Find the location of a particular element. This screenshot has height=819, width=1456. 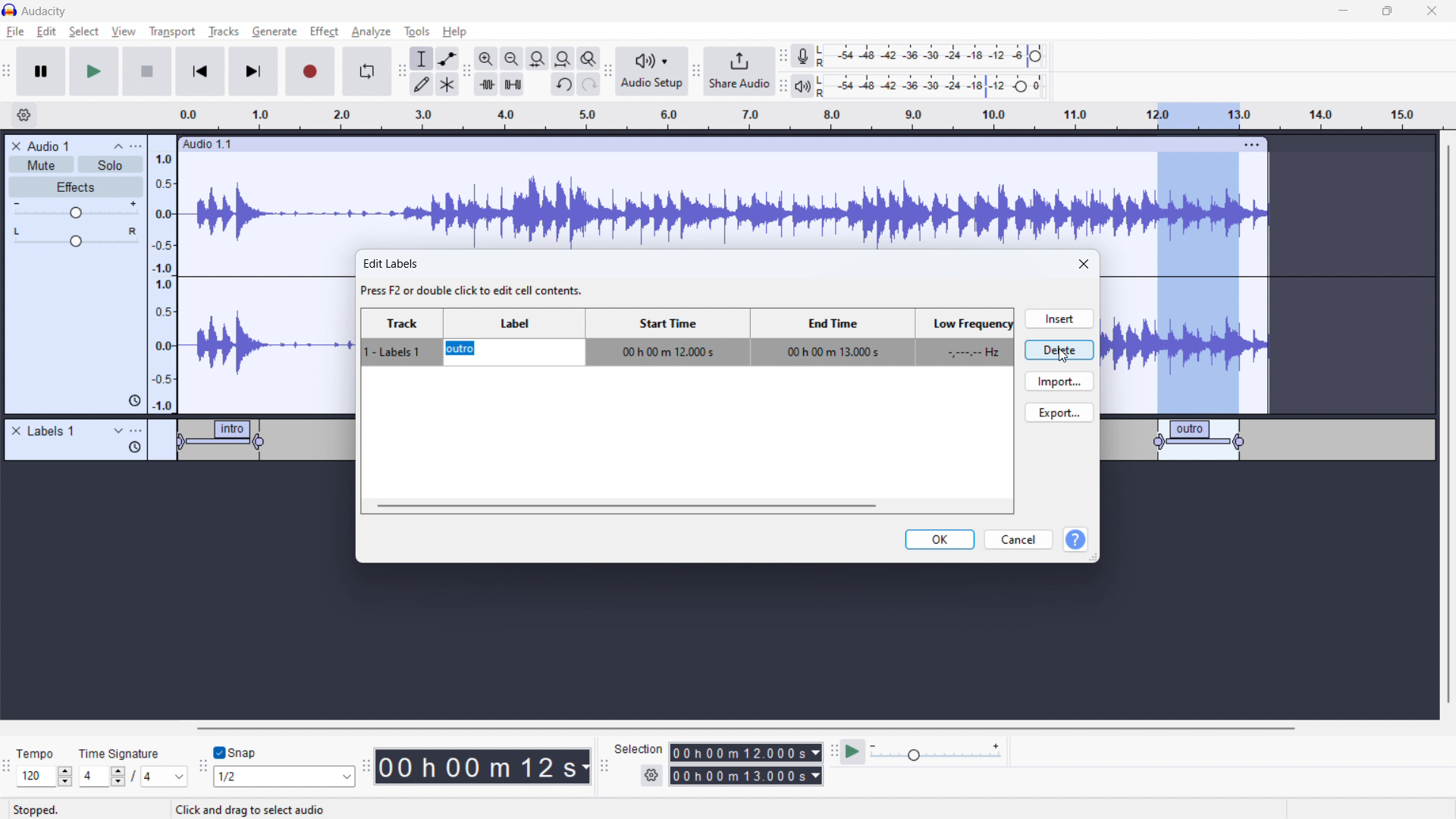

share audio toolbar is located at coordinates (696, 73).